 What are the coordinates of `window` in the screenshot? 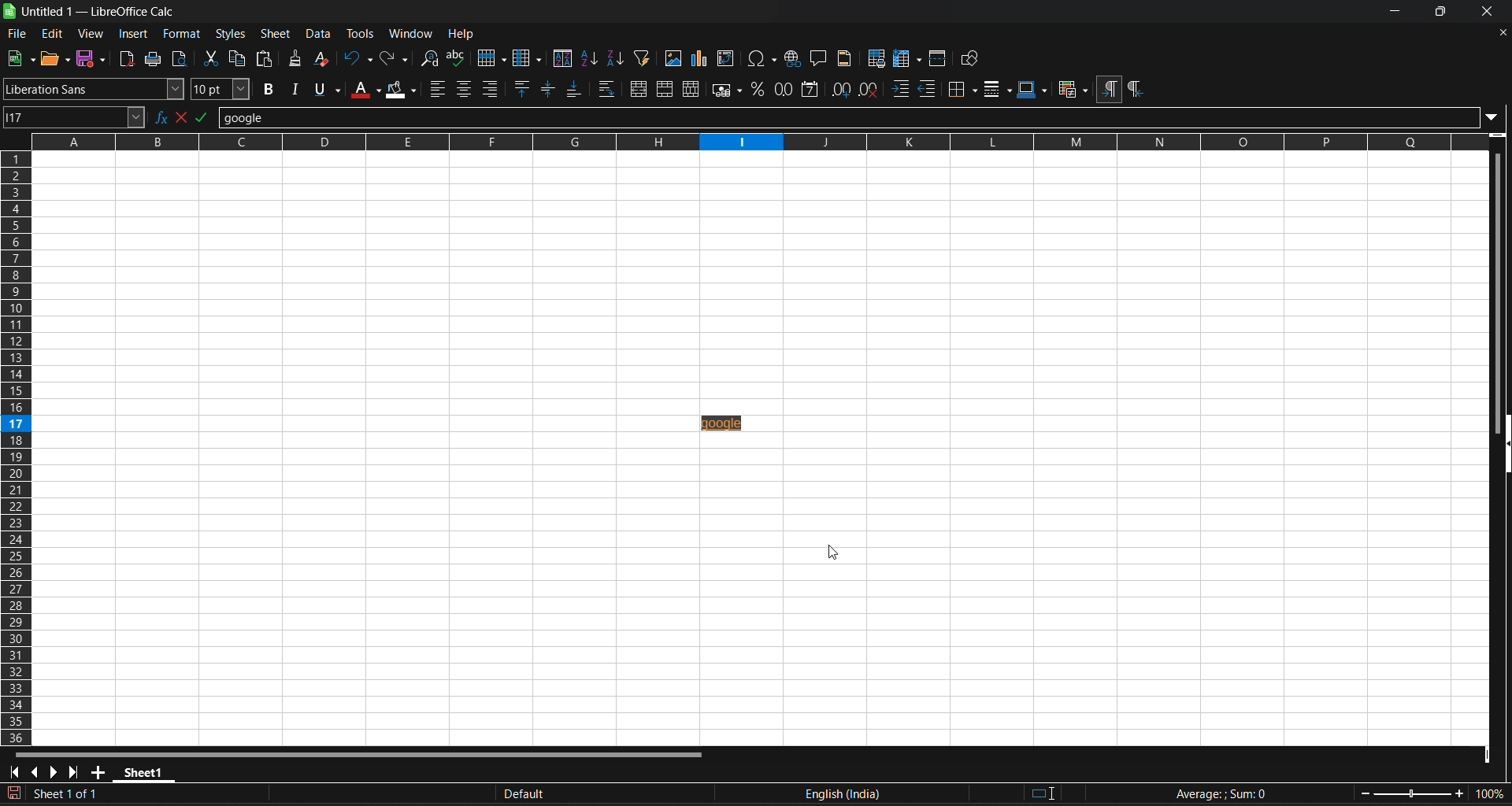 It's located at (413, 31).